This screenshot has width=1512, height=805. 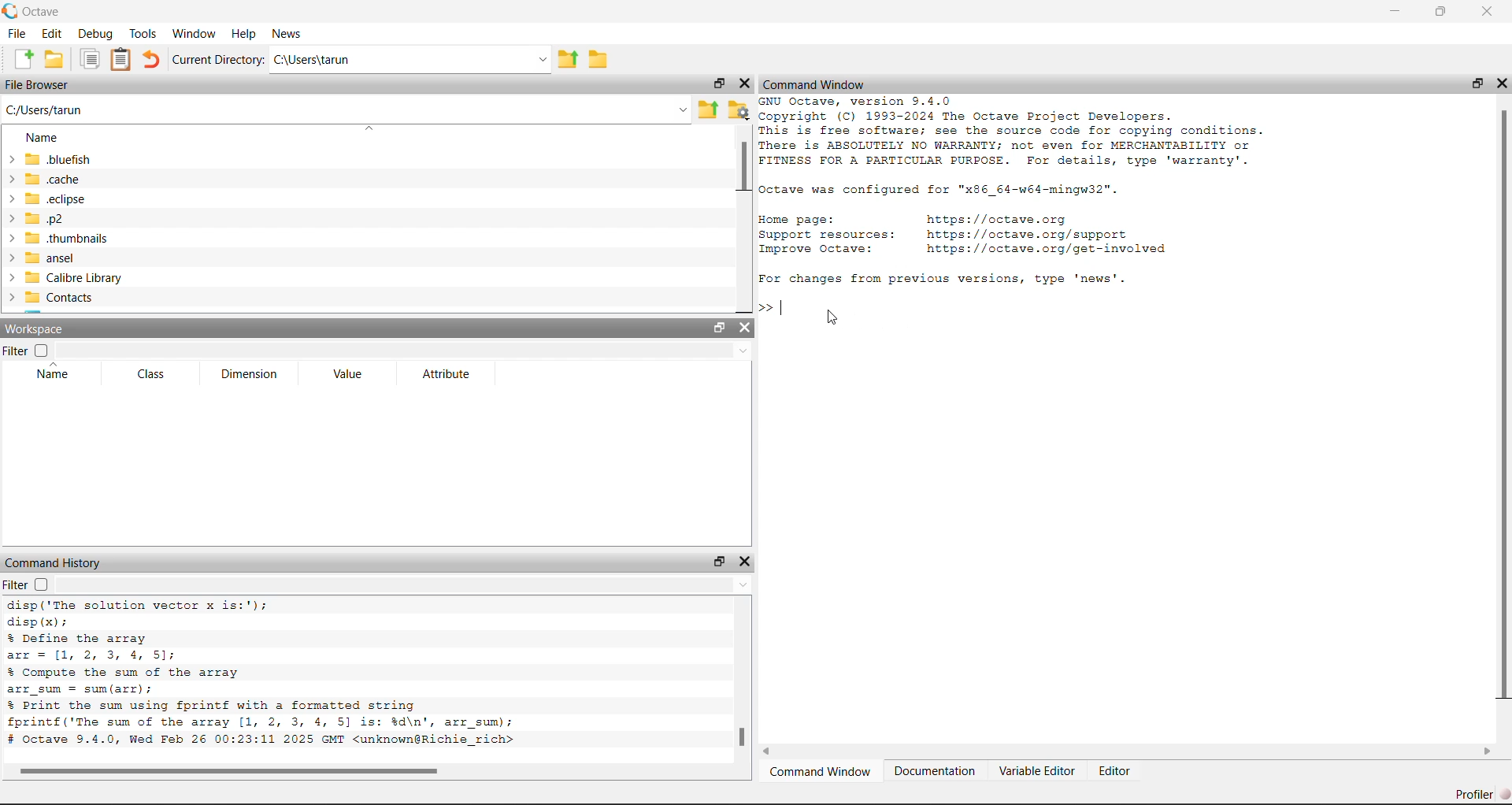 What do you see at coordinates (1500, 83) in the screenshot?
I see `Close` at bounding box center [1500, 83].